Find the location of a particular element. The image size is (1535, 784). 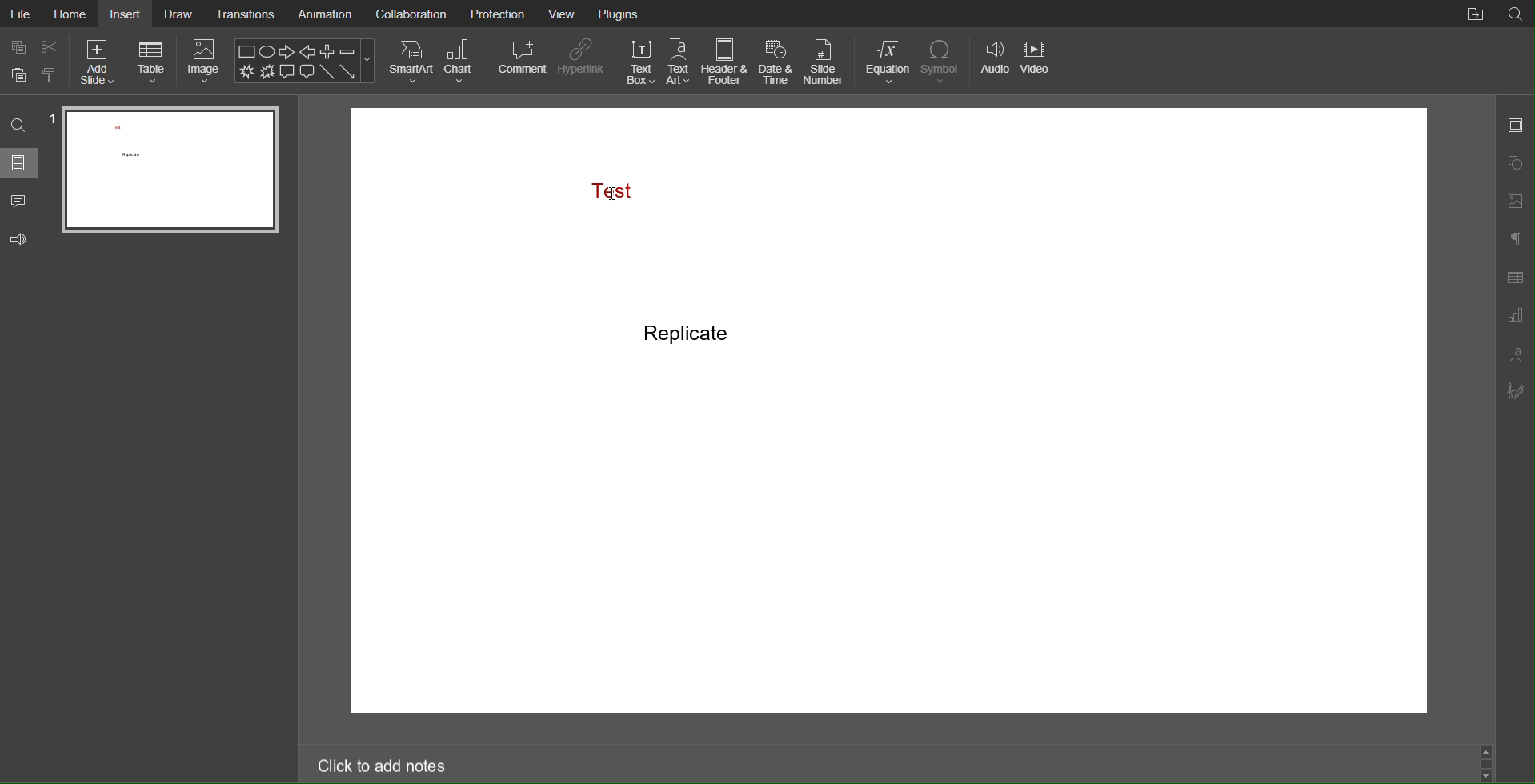

Symbol is located at coordinates (943, 62).